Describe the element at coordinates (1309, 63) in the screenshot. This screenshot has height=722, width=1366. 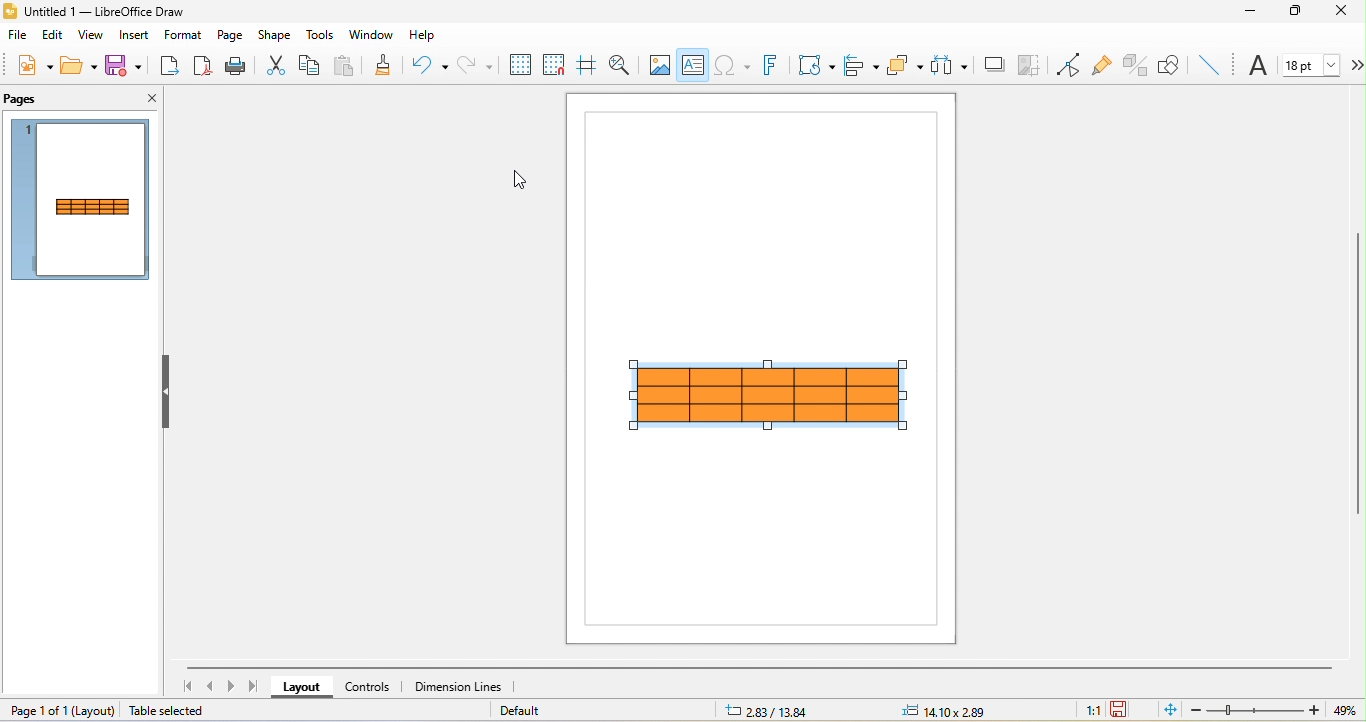
I see `font size` at that location.